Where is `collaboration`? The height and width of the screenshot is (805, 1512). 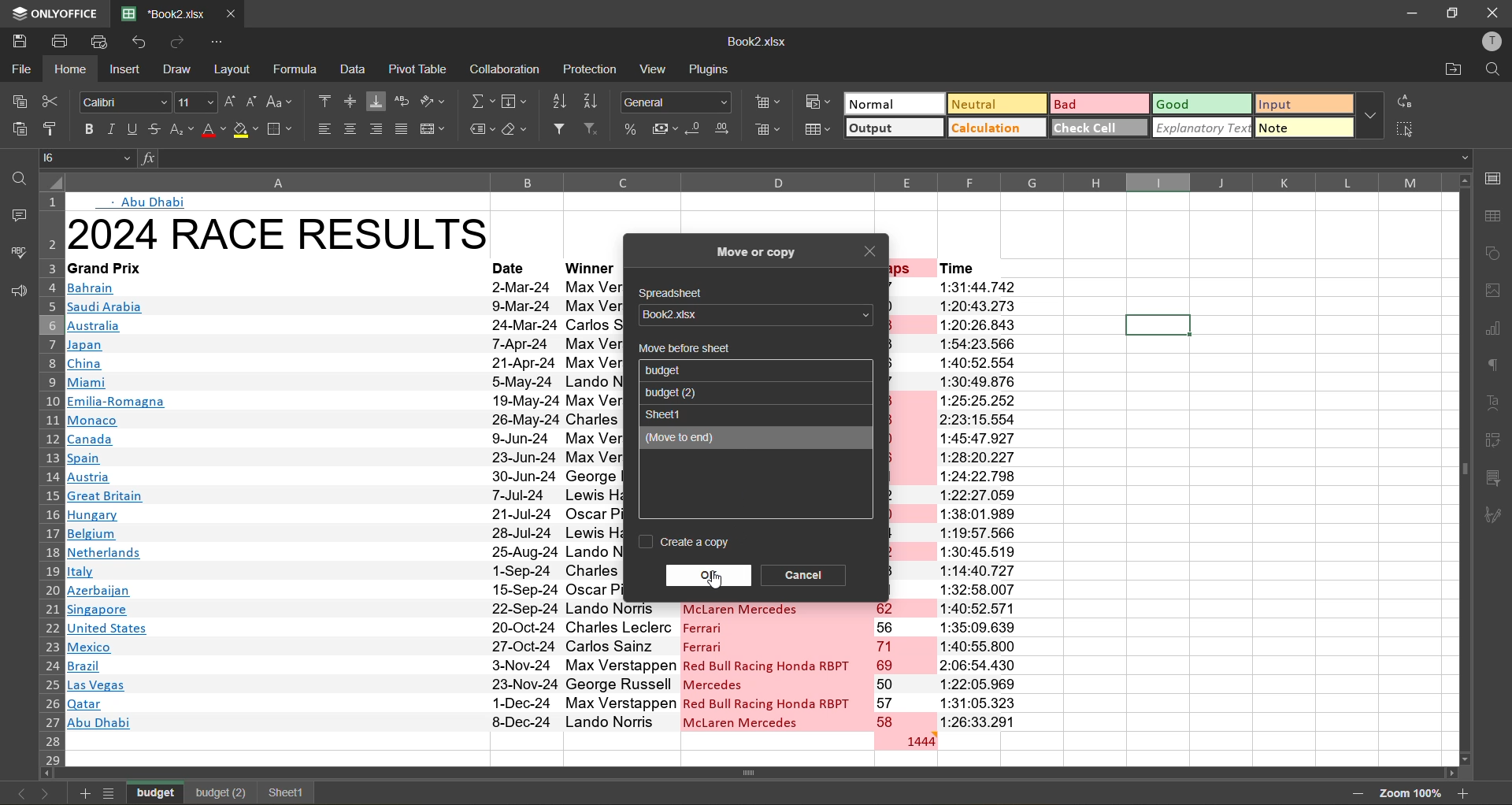
collaboration is located at coordinates (507, 70).